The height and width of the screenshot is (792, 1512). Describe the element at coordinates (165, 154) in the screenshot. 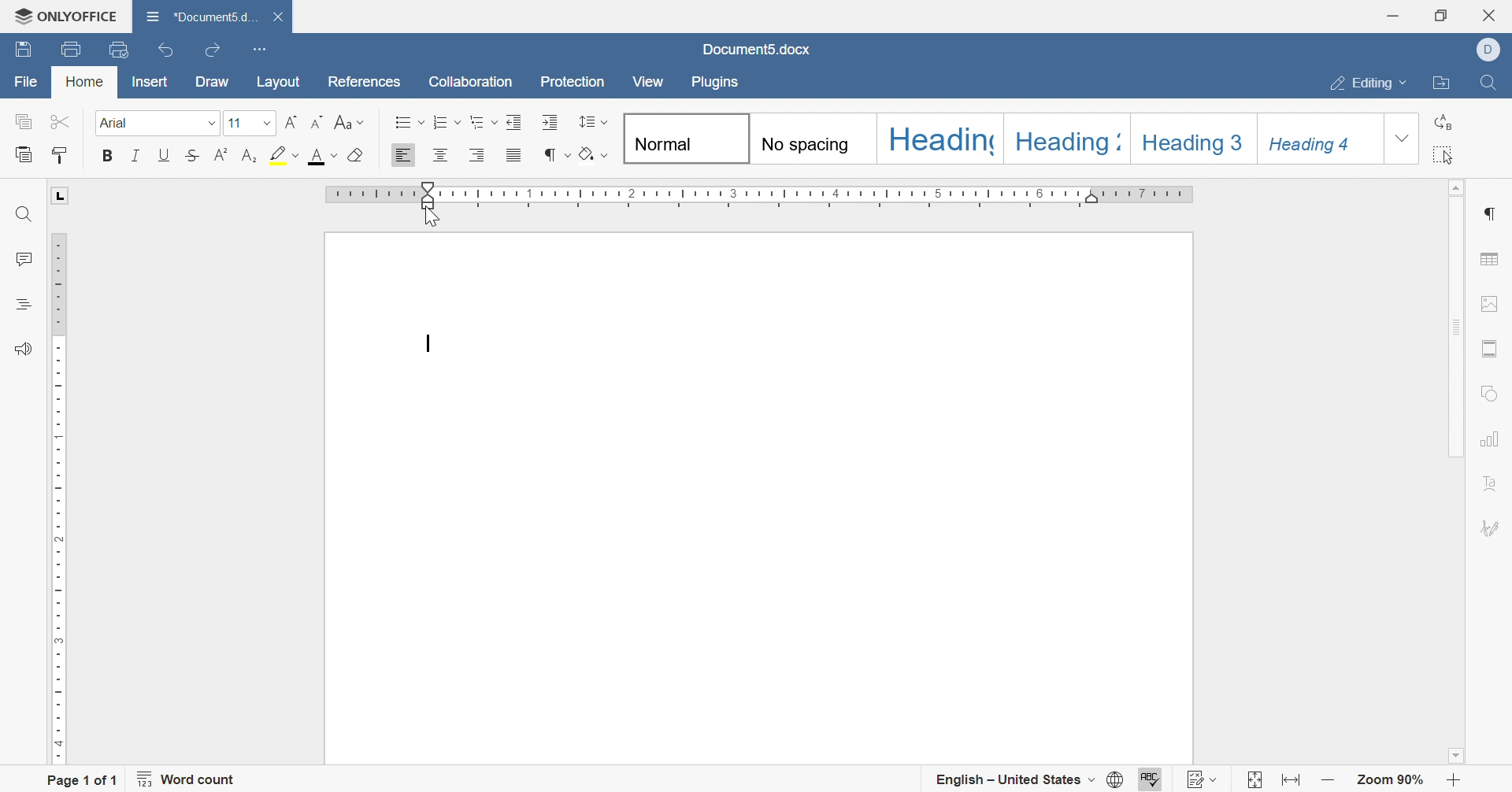

I see `underline` at that location.